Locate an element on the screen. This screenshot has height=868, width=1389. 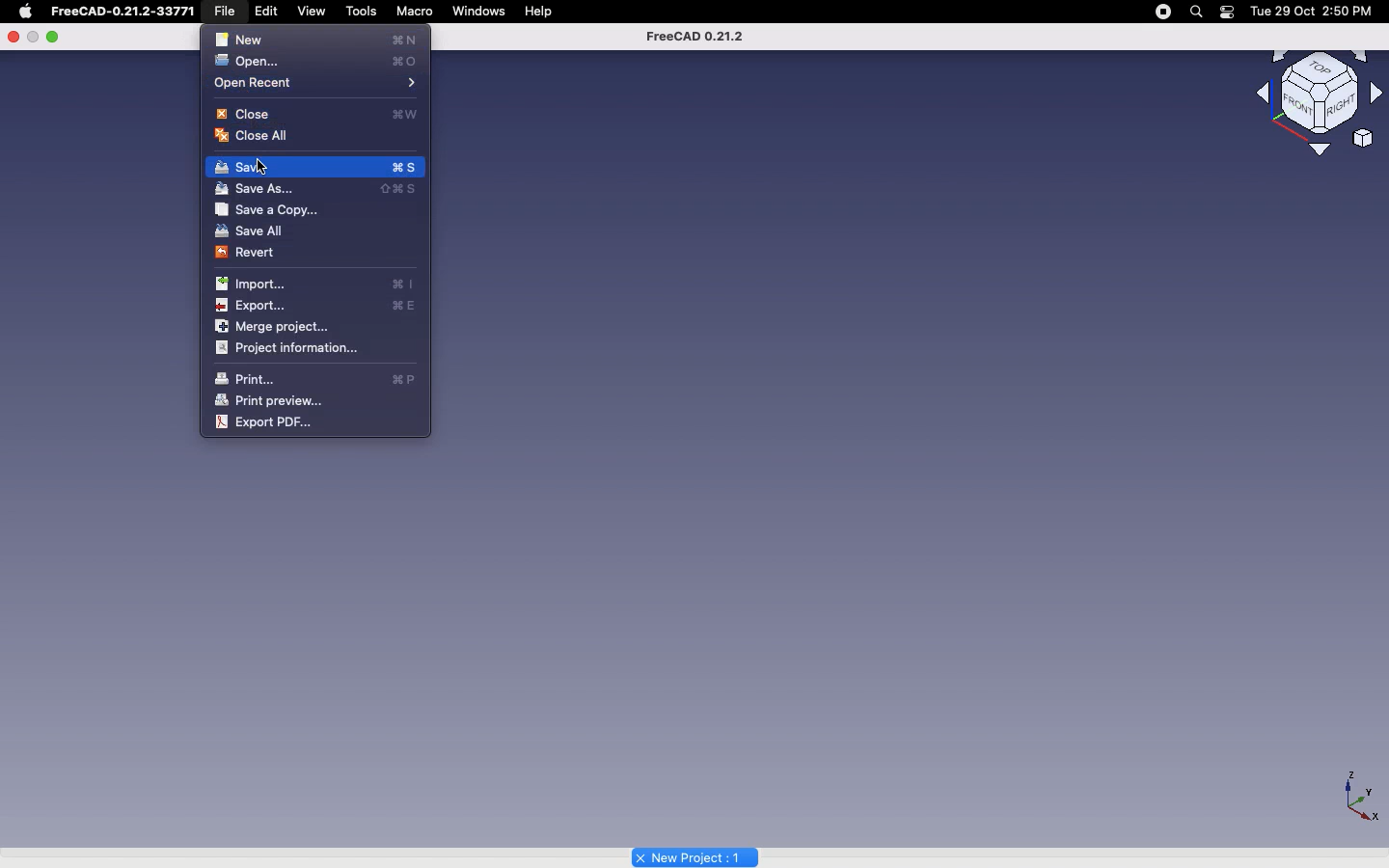
Tools is located at coordinates (364, 10).